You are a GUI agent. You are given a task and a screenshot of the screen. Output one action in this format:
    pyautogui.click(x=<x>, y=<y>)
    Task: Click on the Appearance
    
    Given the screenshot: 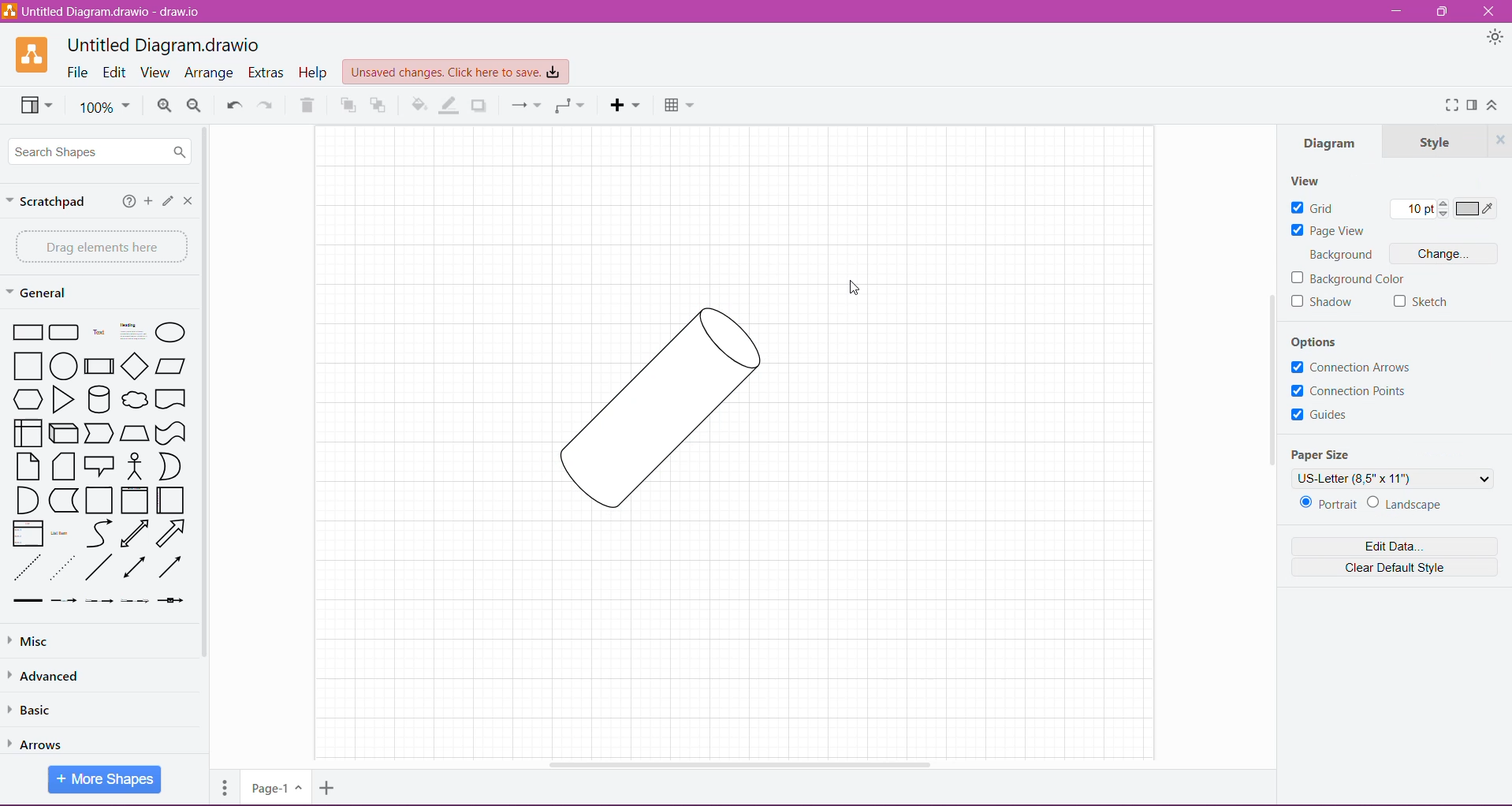 What is the action you would take?
    pyautogui.click(x=1492, y=37)
    